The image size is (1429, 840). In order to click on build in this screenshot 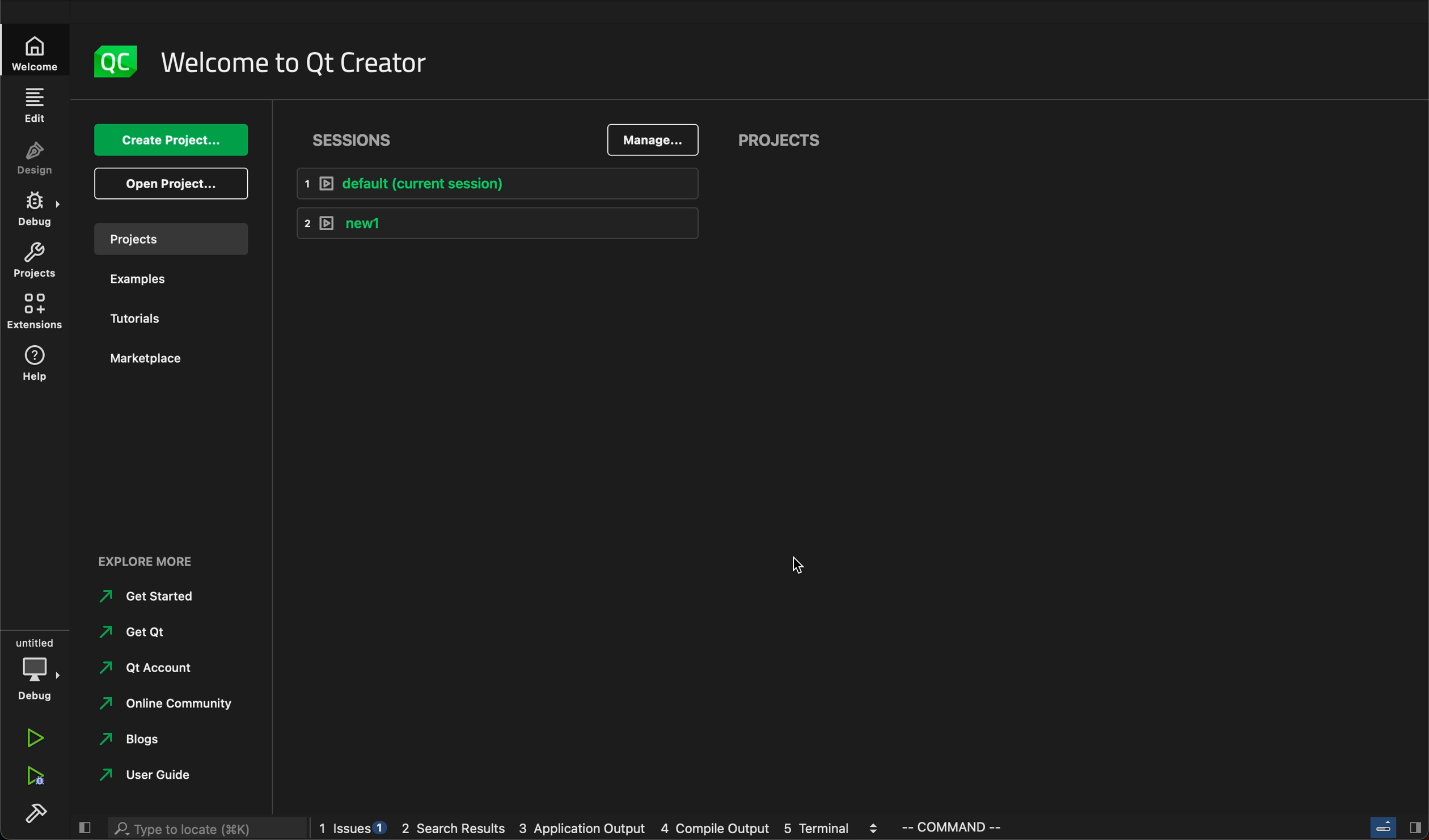, I will do `click(36, 810)`.